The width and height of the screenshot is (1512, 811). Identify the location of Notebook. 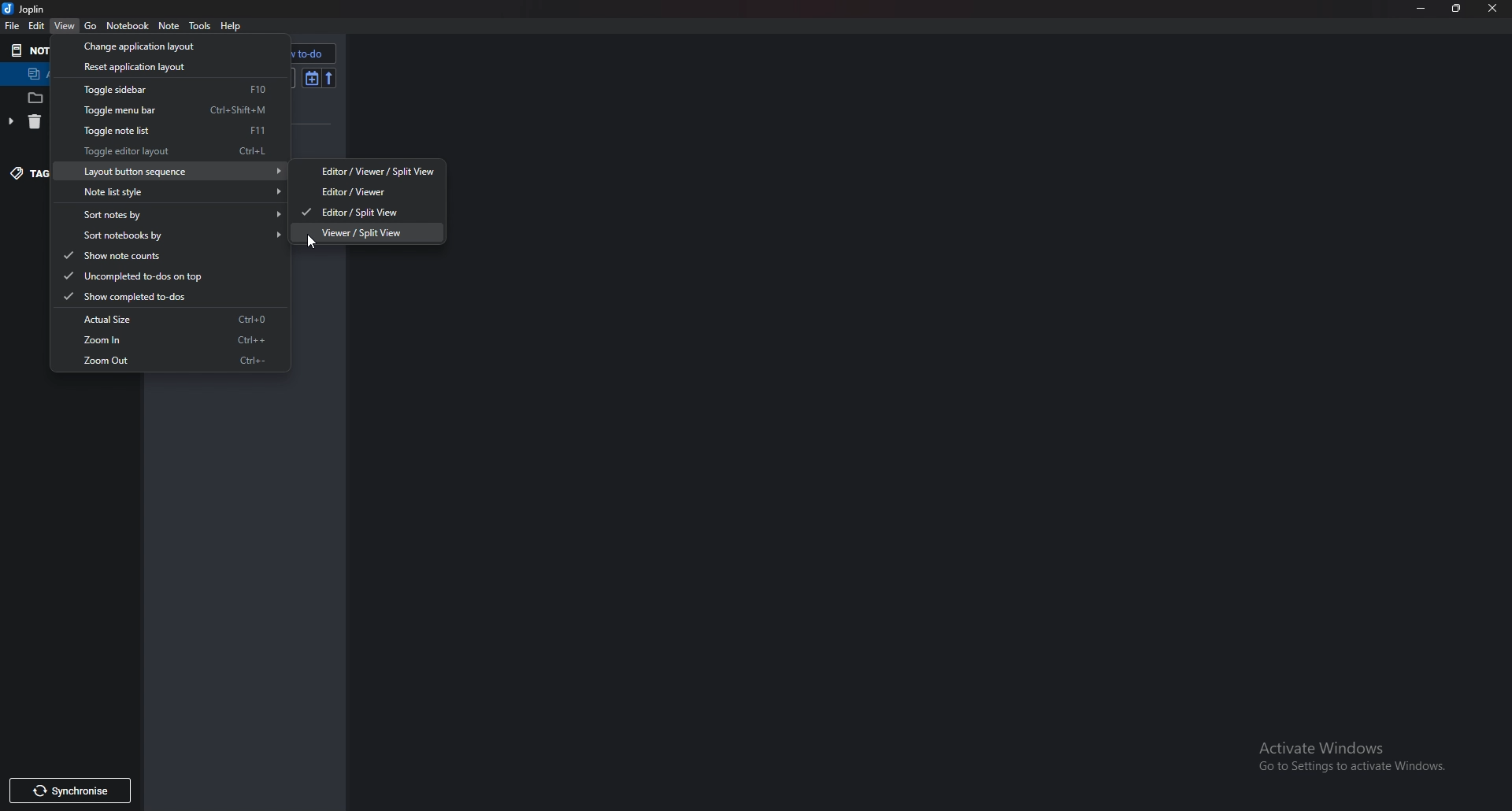
(129, 26).